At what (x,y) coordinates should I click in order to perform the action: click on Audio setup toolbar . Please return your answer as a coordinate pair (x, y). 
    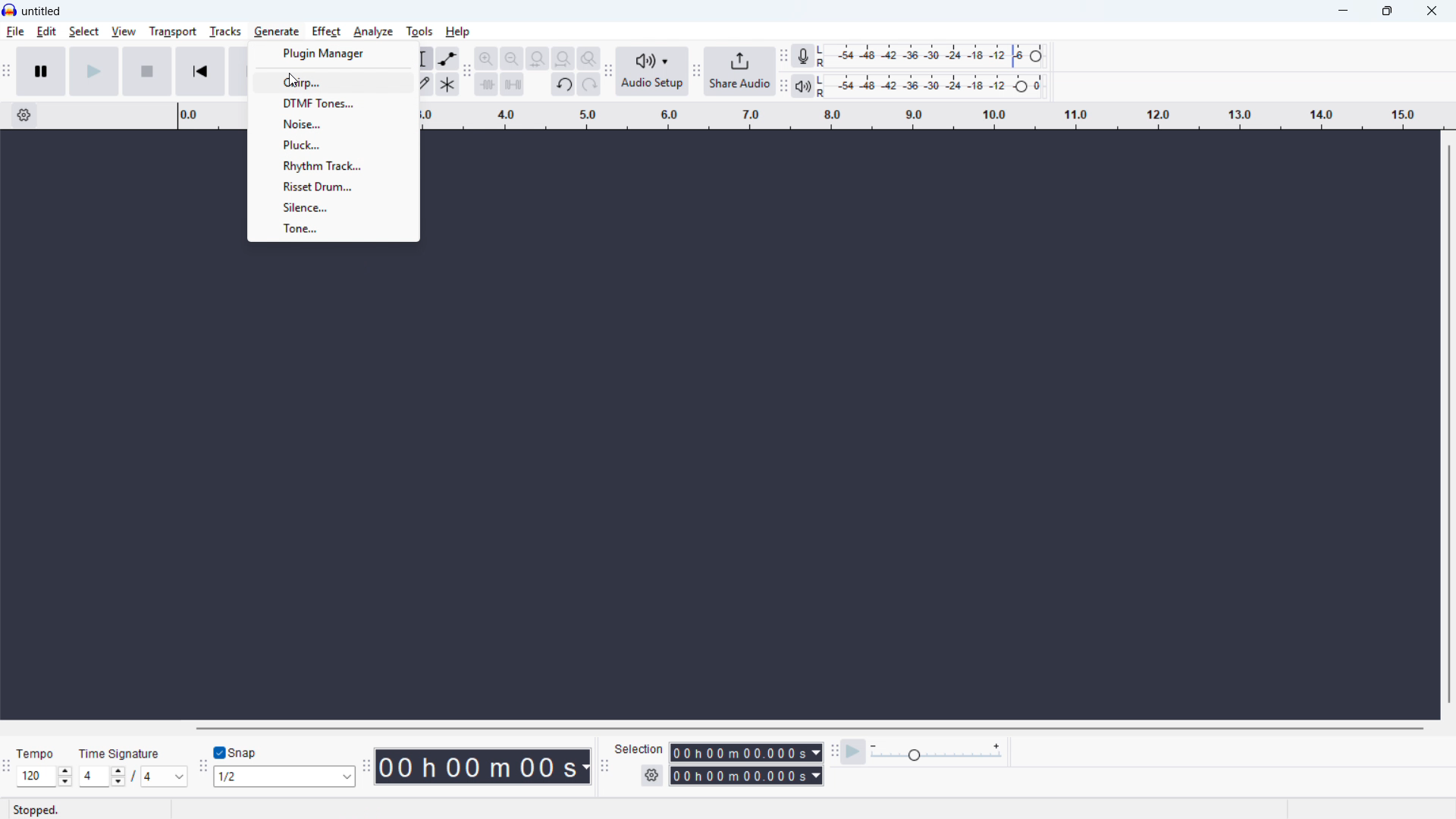
    Looking at the image, I should click on (608, 71).